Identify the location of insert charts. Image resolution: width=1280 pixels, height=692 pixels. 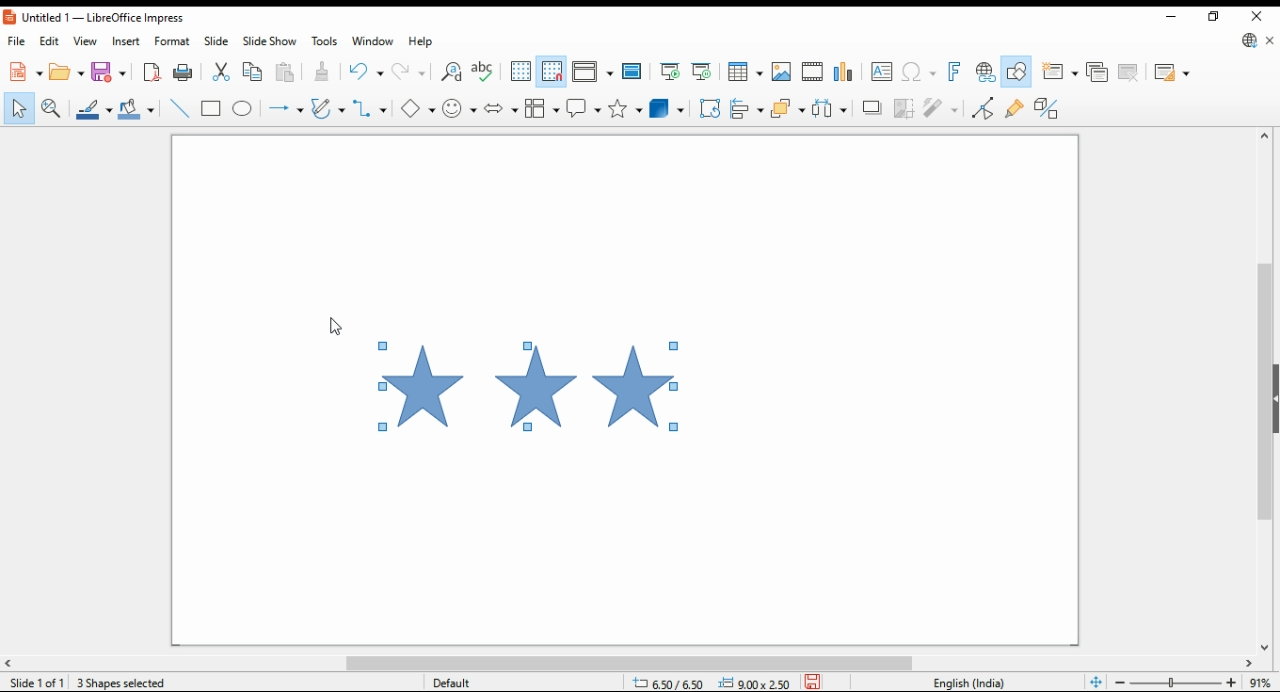
(844, 72).